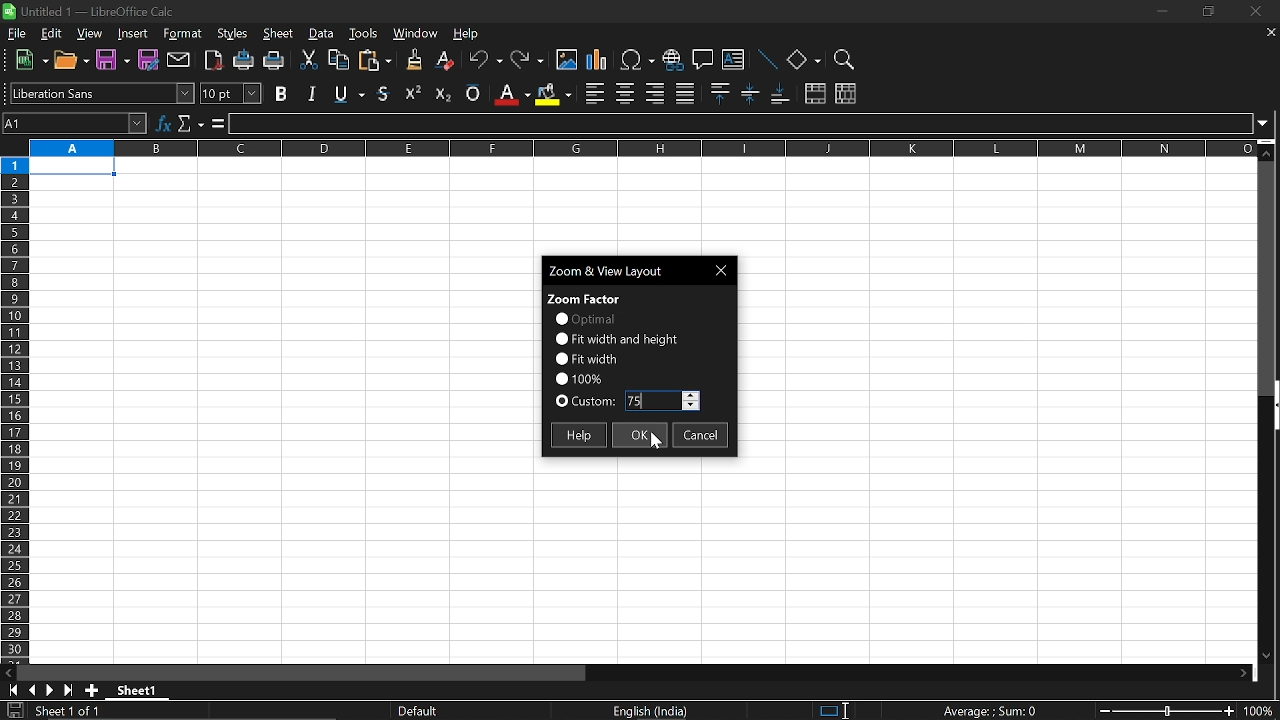 This screenshot has height=720, width=1280. What do you see at coordinates (10, 689) in the screenshot?
I see `go to first page` at bounding box center [10, 689].